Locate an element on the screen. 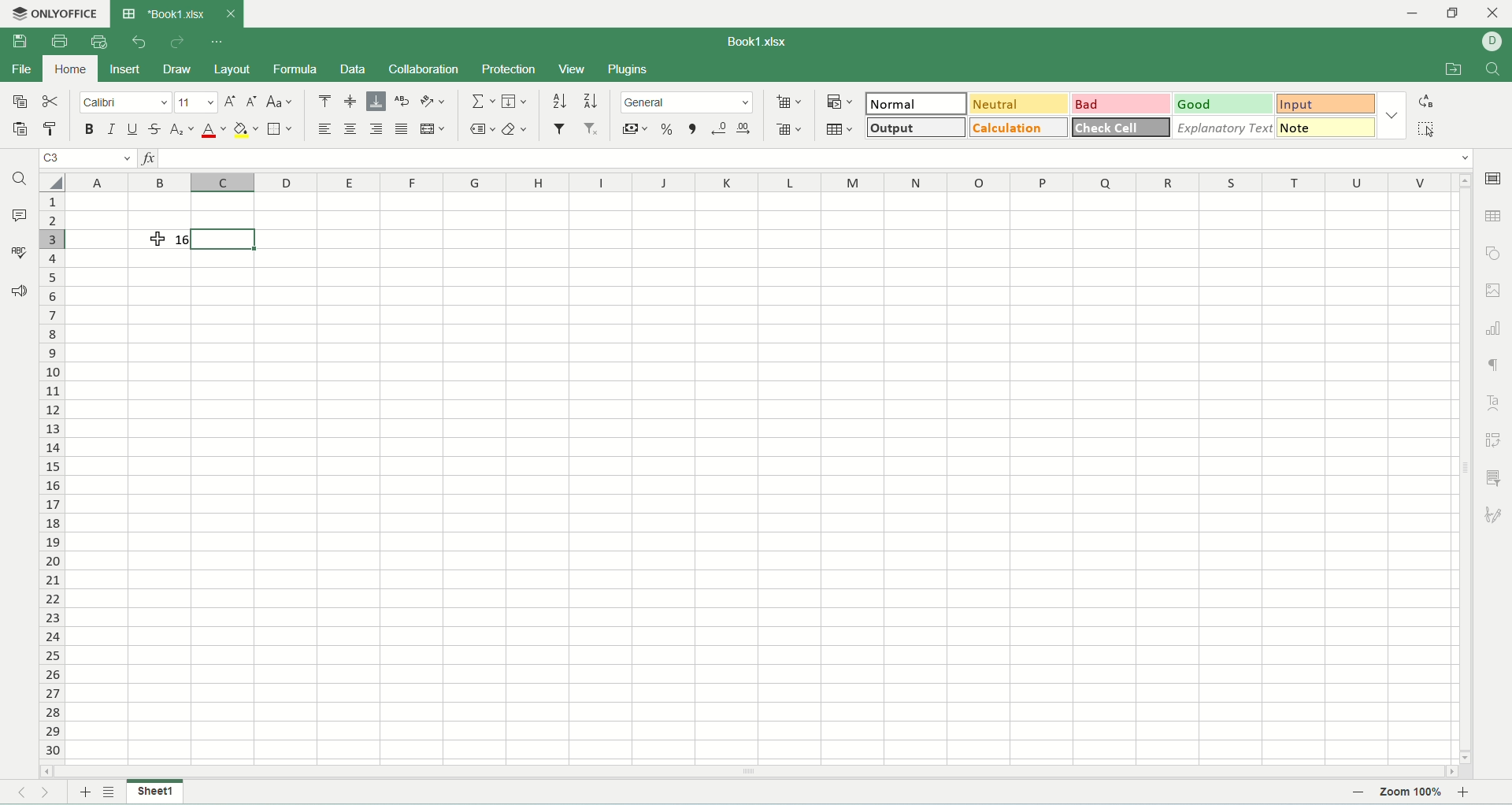 This screenshot has height=805, width=1512. undo is located at coordinates (140, 43).